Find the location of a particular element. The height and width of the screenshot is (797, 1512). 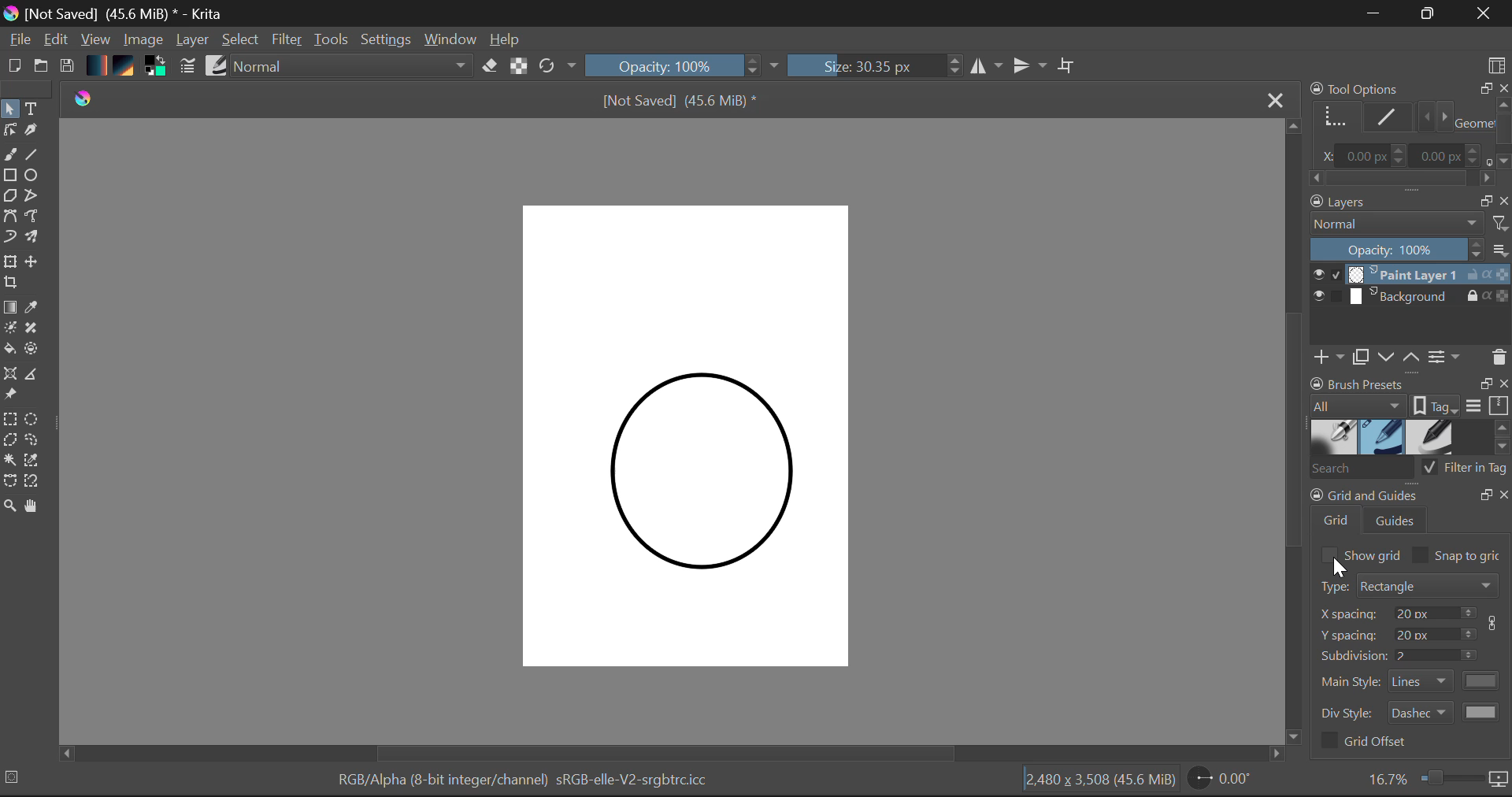

Eraser is located at coordinates (491, 67).